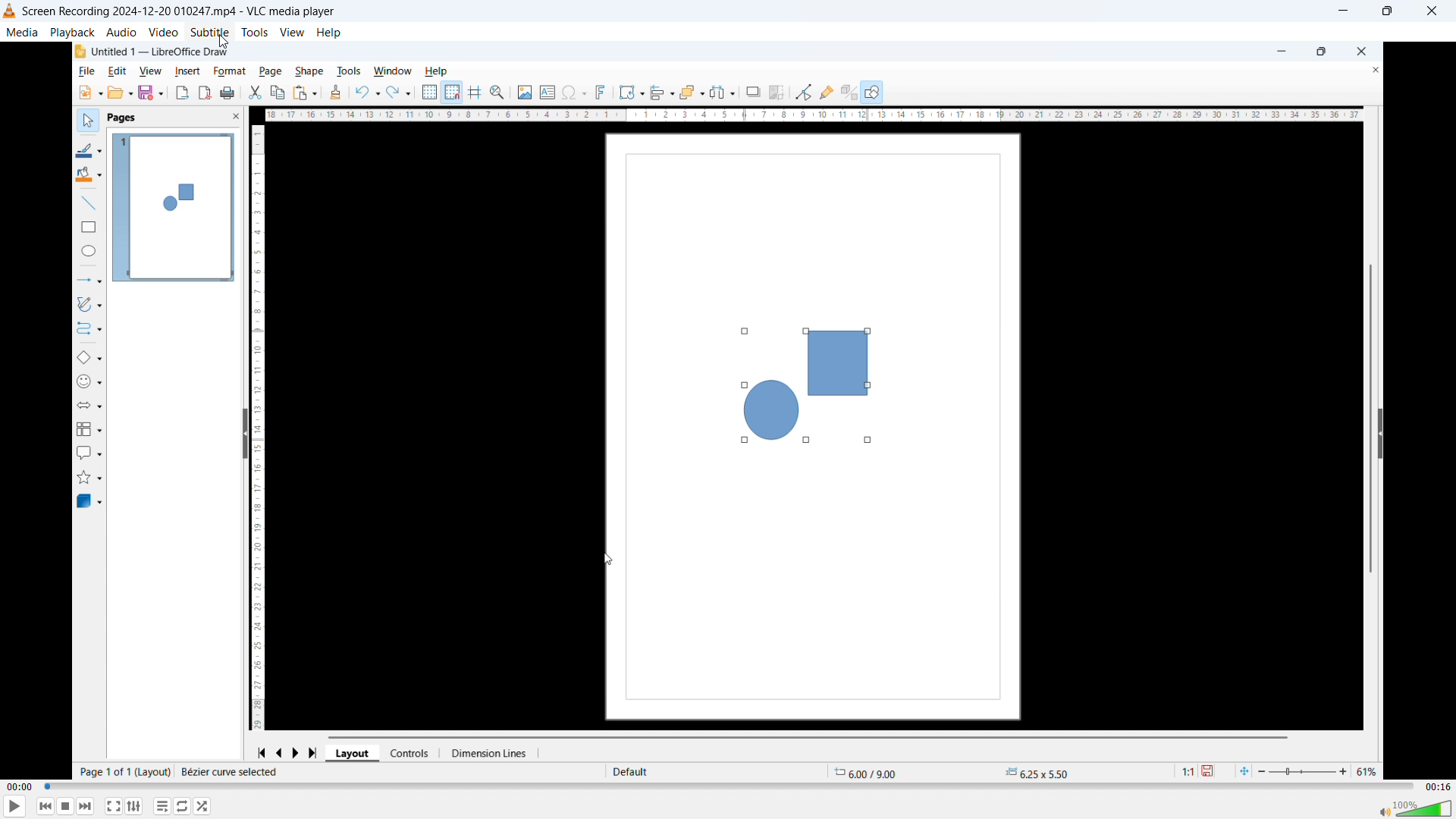  Describe the element at coordinates (181, 93) in the screenshot. I see `export` at that location.